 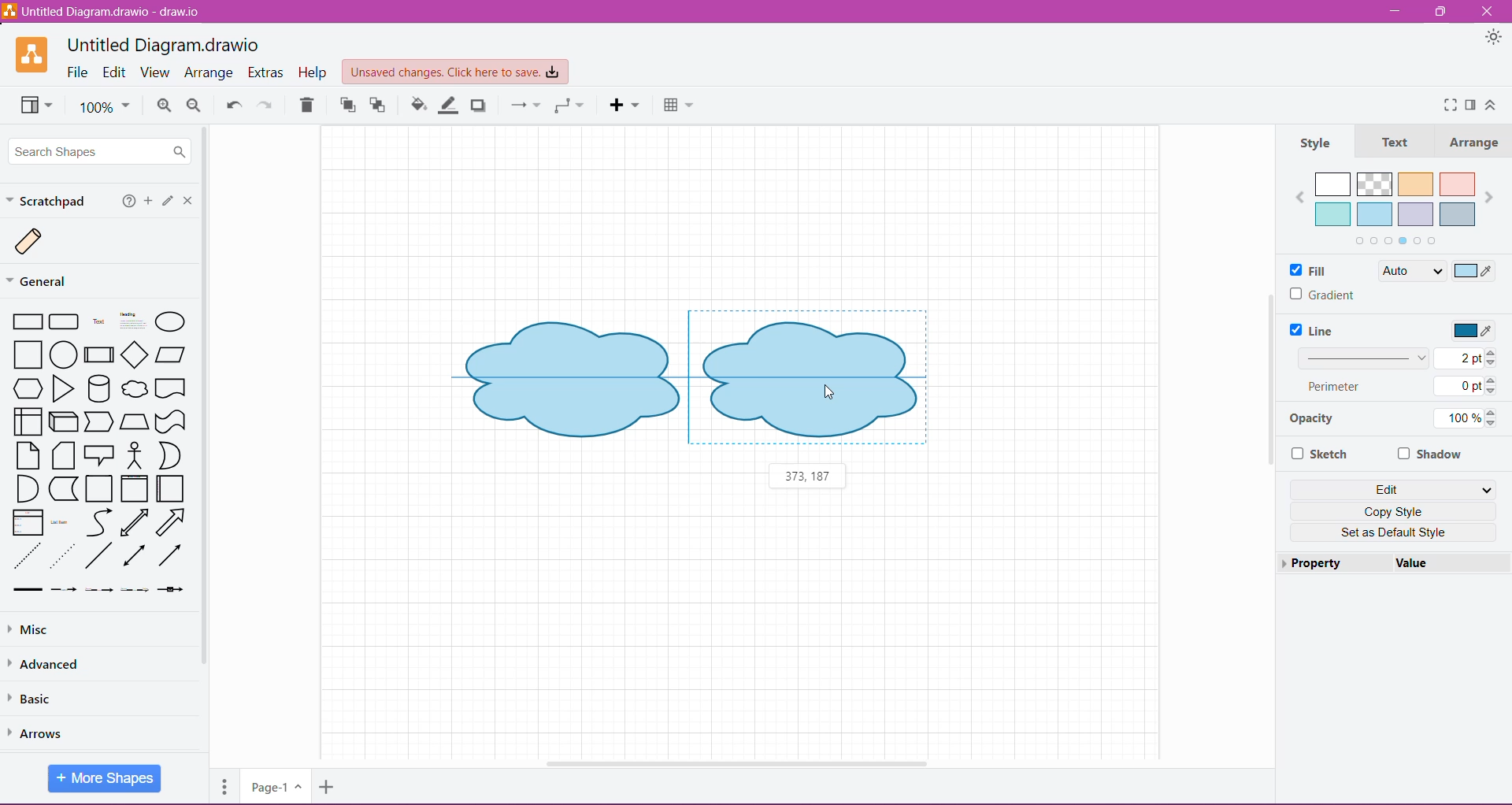 I want to click on Redo, so click(x=269, y=106).